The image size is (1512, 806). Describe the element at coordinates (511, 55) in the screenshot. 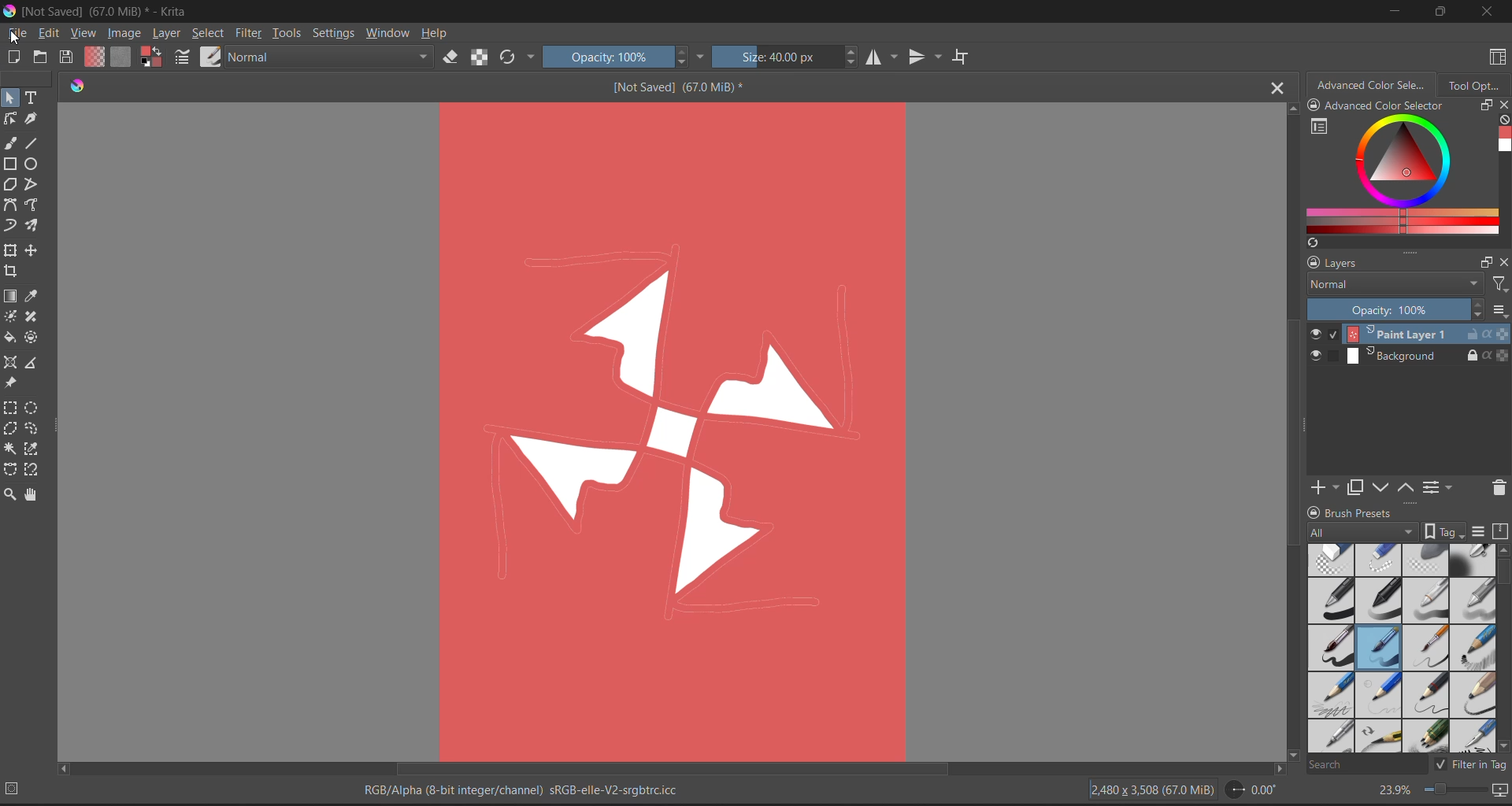

I see `reload original preset` at that location.